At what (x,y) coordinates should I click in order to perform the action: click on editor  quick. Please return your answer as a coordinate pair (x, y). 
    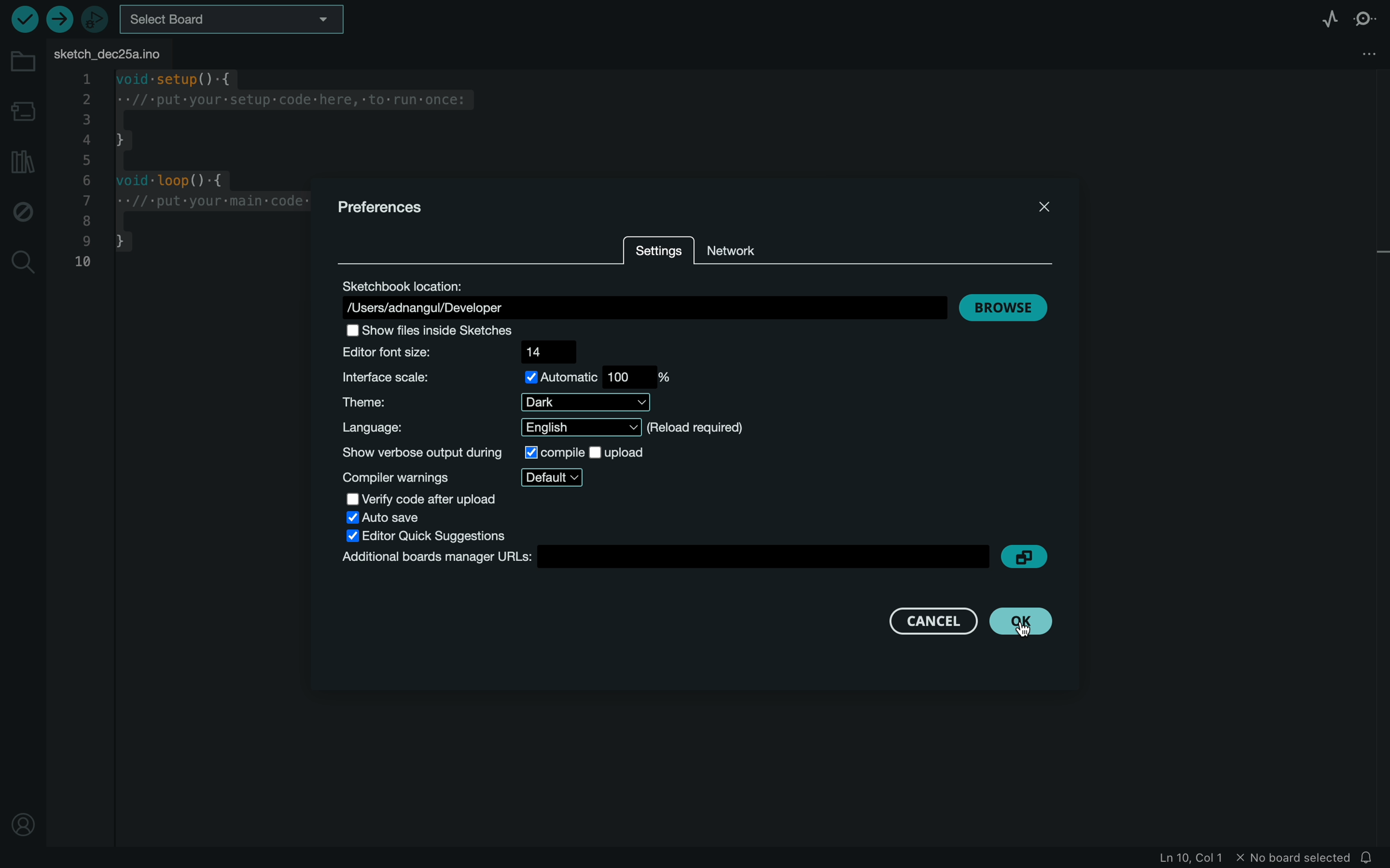
    Looking at the image, I should click on (430, 535).